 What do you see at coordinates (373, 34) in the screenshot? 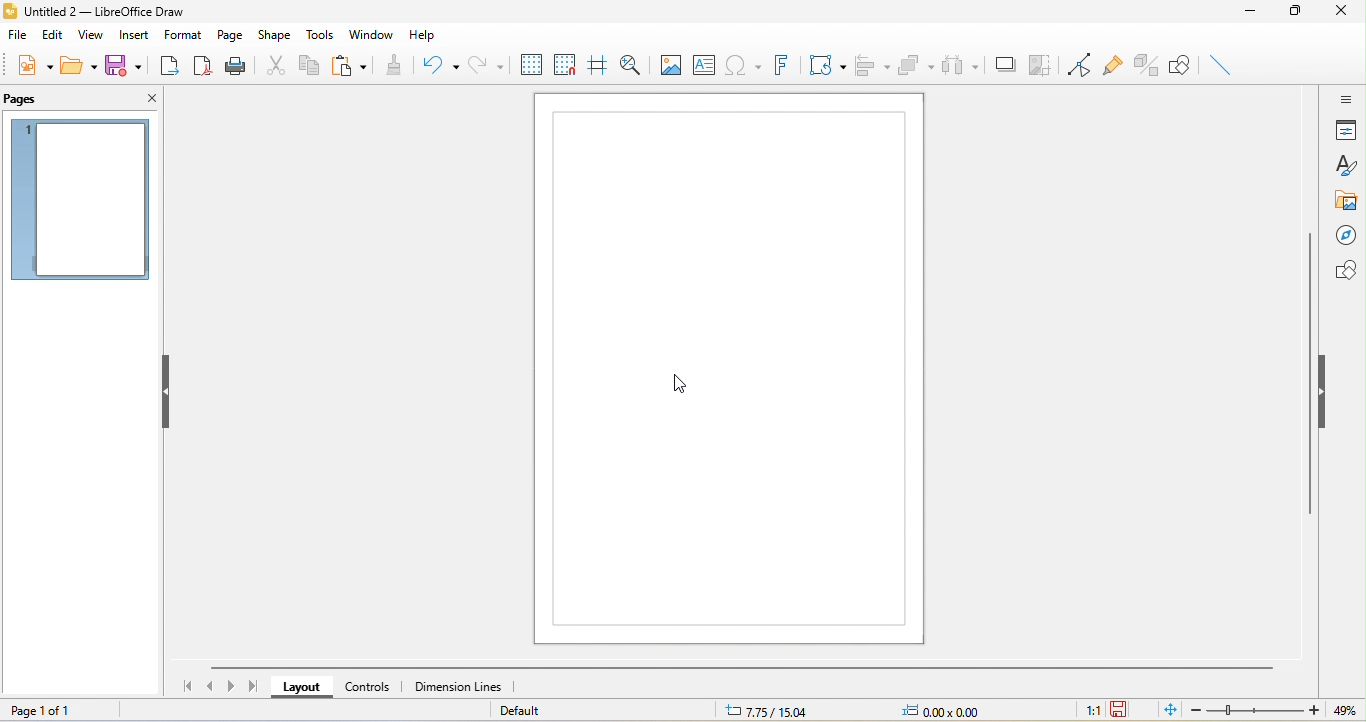
I see `window` at bounding box center [373, 34].